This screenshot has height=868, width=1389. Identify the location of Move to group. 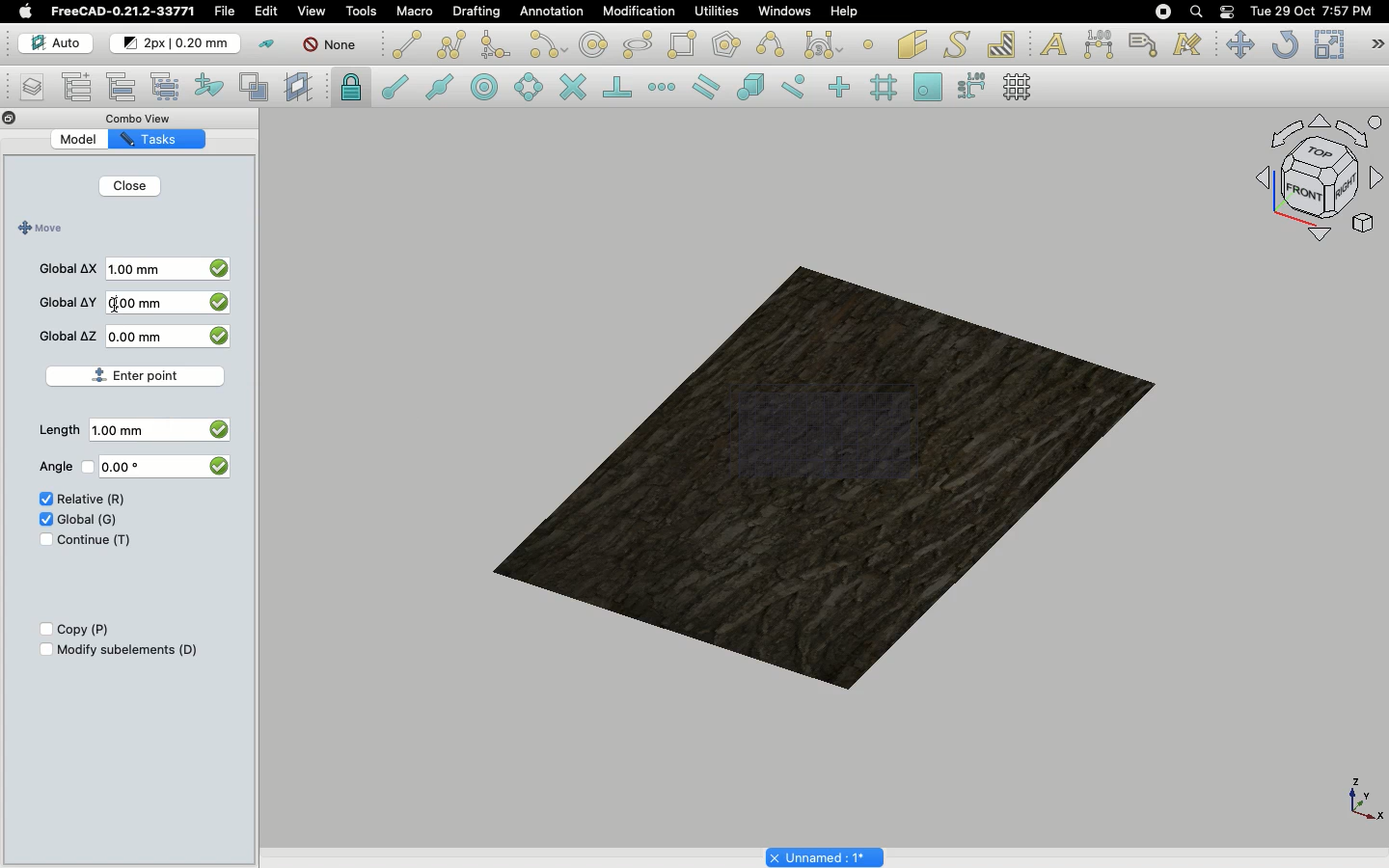
(124, 87).